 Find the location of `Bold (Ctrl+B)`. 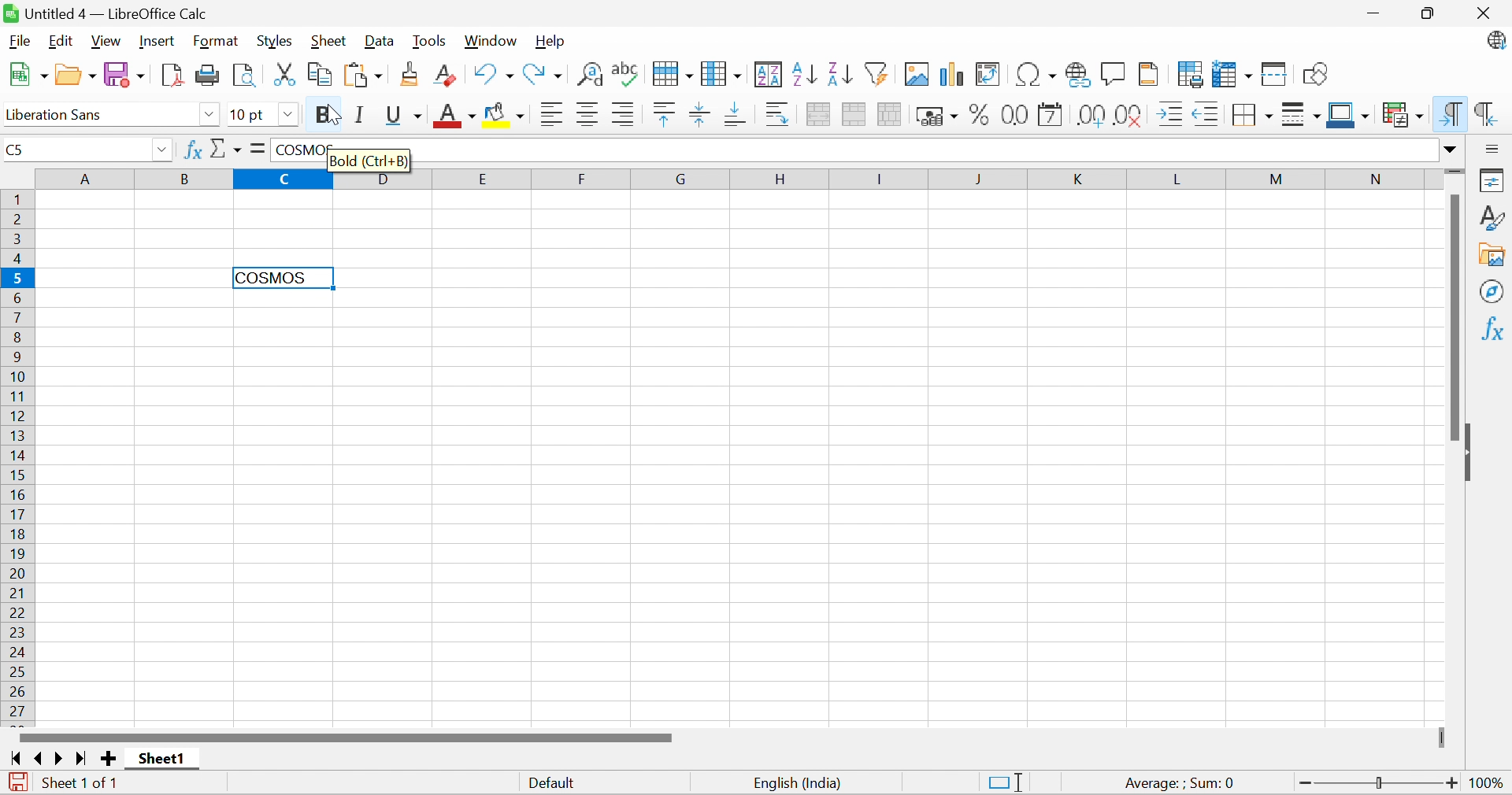

Bold (Ctrl+B) is located at coordinates (372, 161).